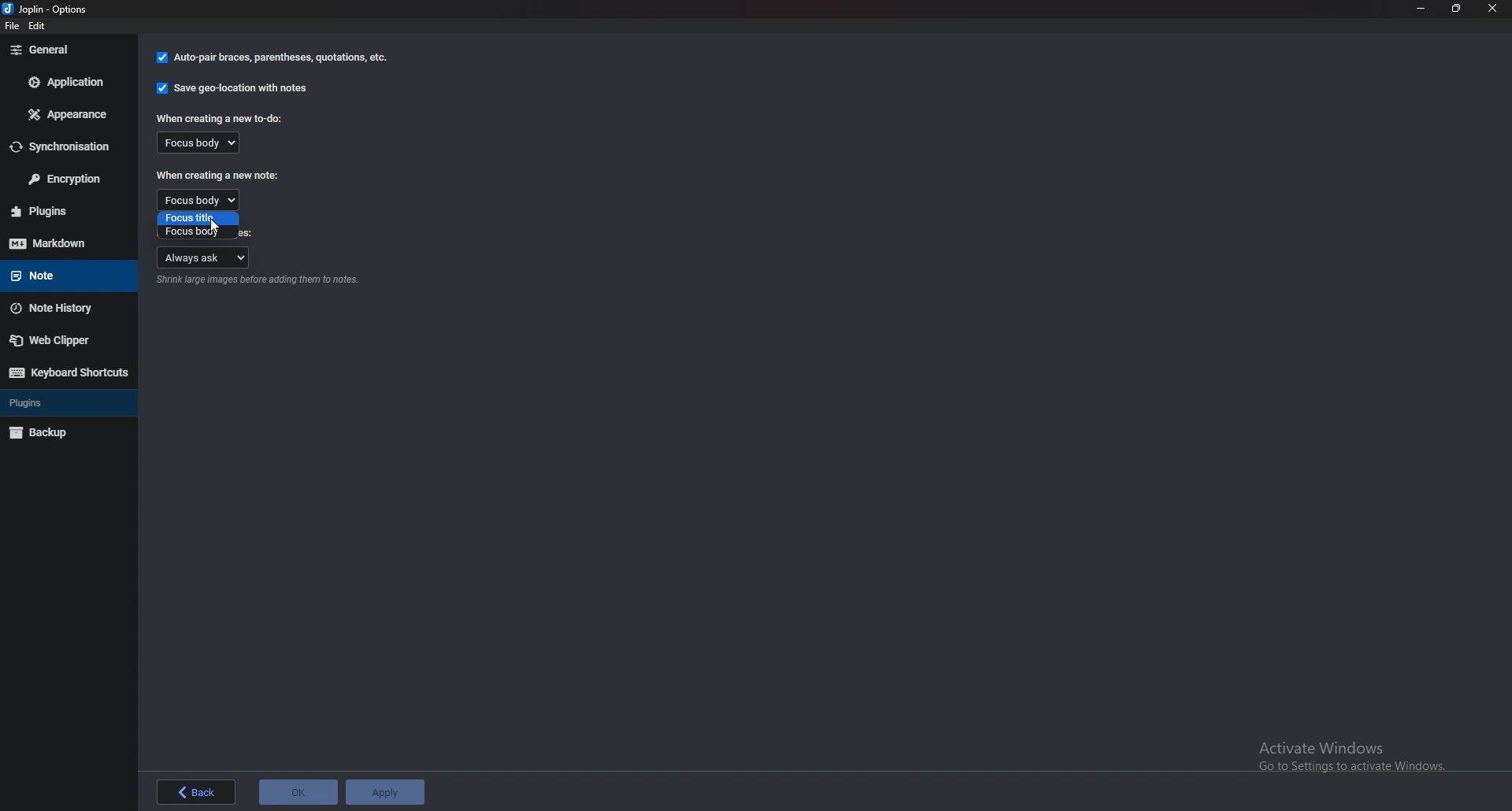 Image resolution: width=1512 pixels, height=811 pixels. Describe the element at coordinates (64, 81) in the screenshot. I see `Application` at that location.